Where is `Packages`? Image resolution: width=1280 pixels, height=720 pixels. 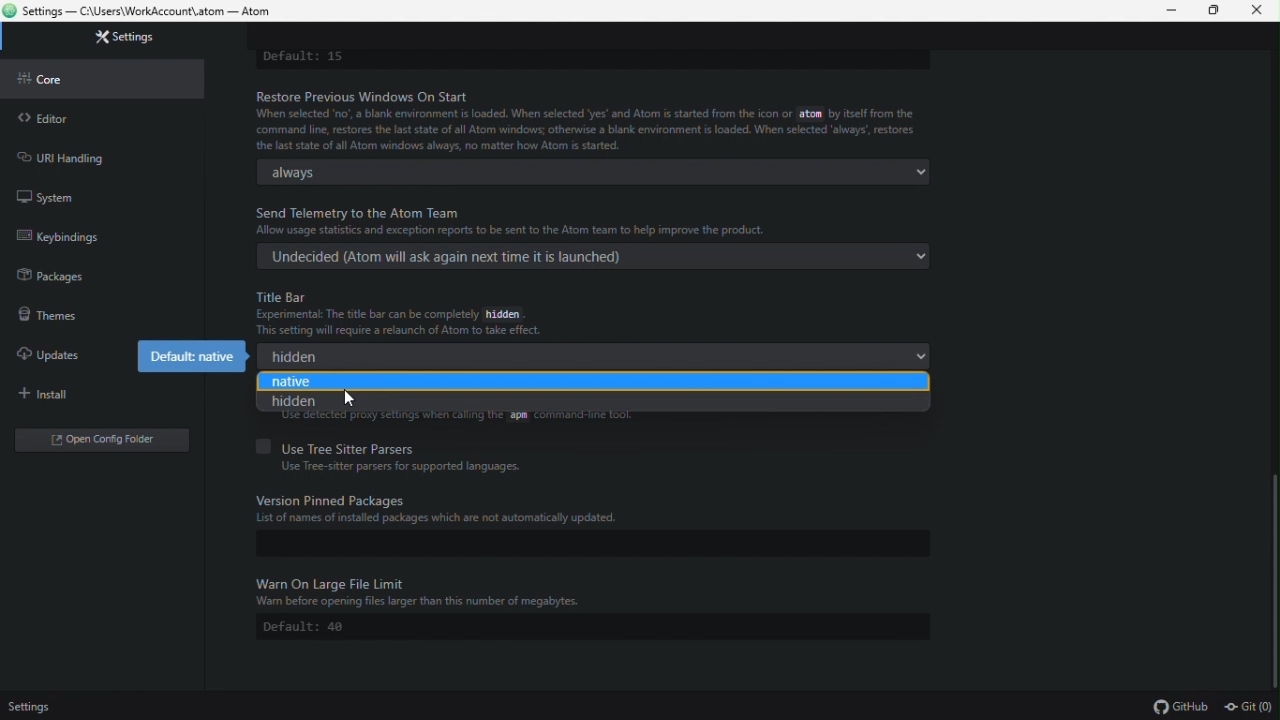
Packages is located at coordinates (94, 276).